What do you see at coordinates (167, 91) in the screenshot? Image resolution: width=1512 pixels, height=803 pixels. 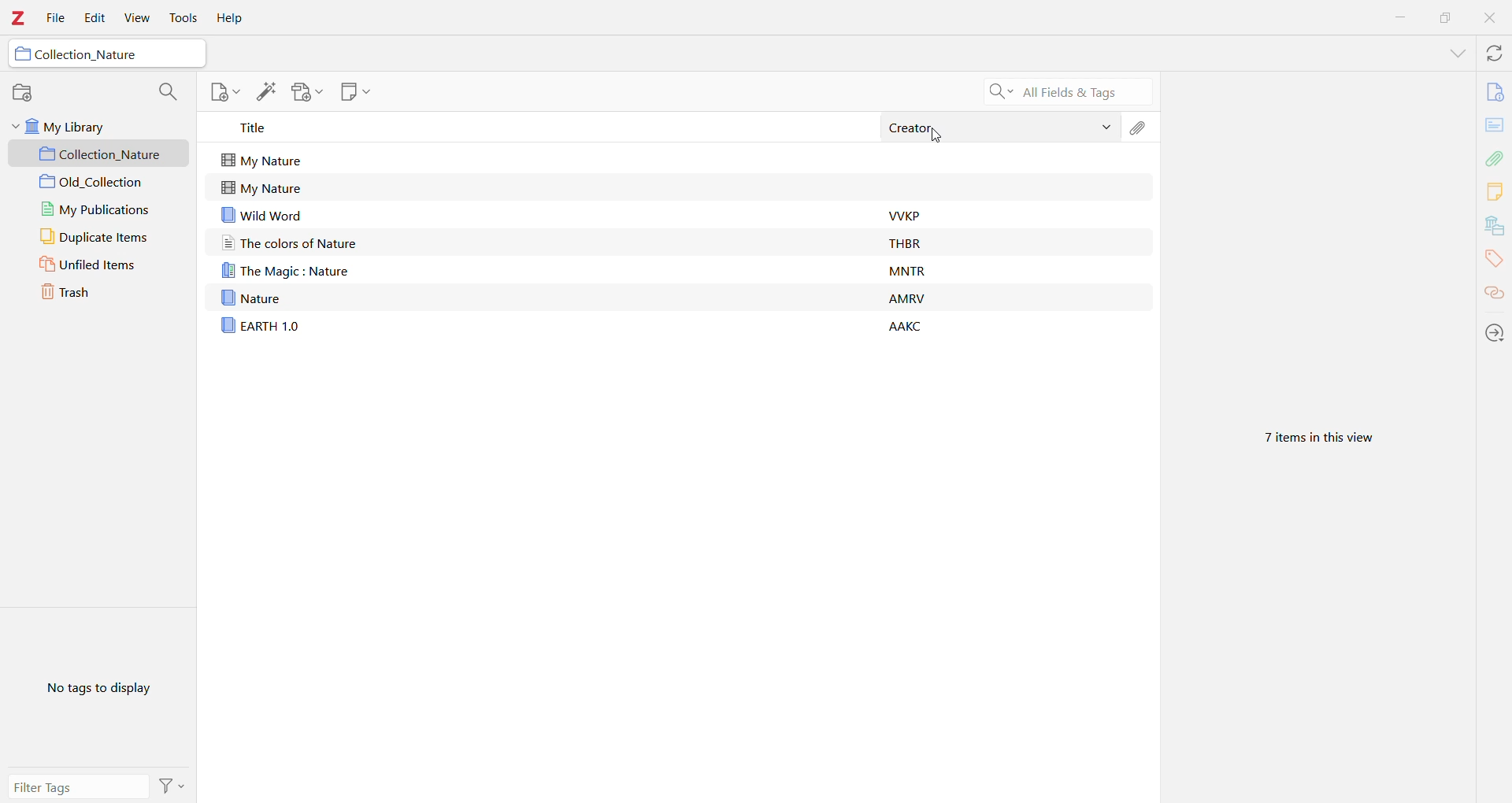 I see `Filter Collections` at bounding box center [167, 91].